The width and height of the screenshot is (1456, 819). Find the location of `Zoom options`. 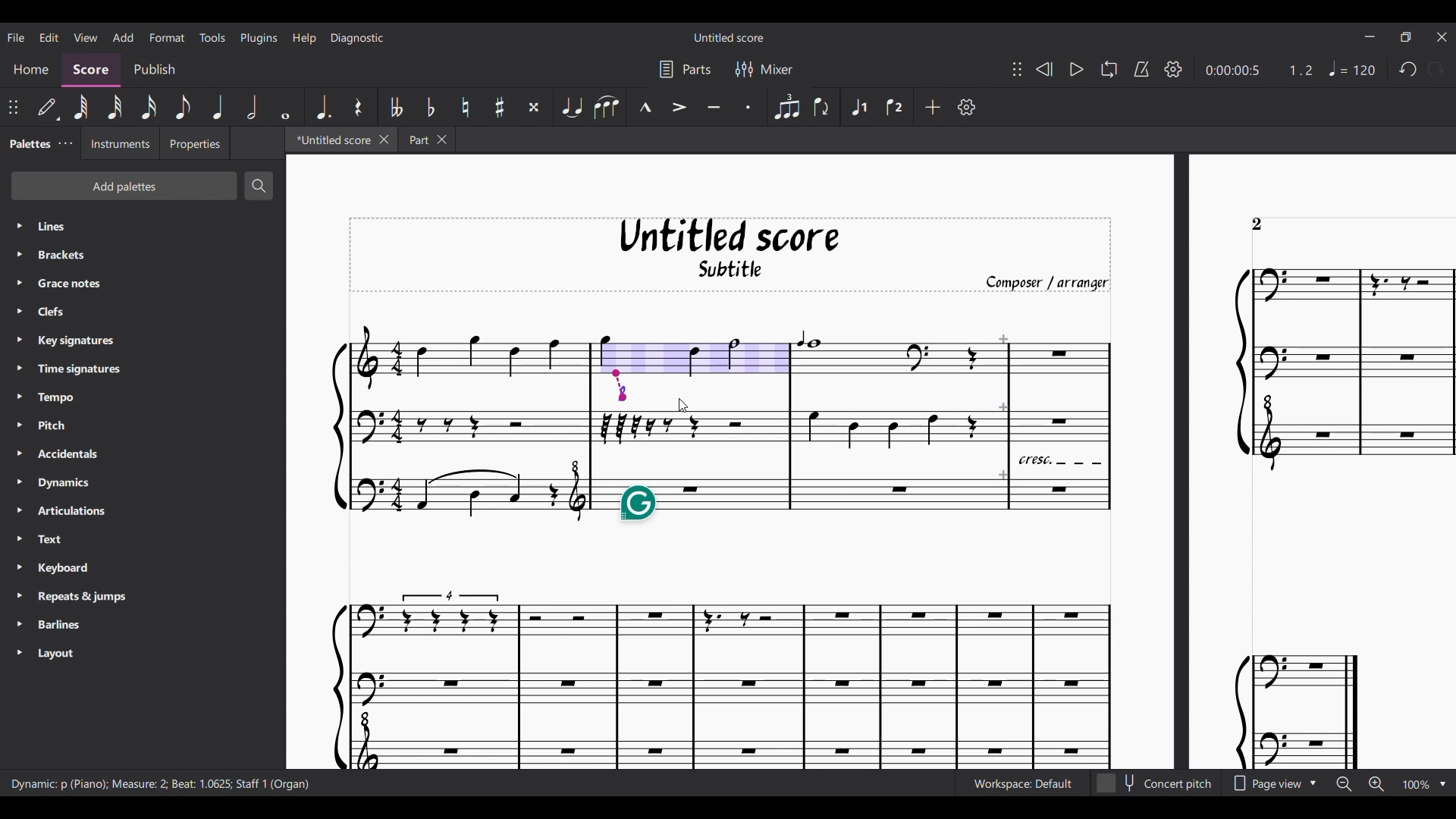

Zoom options is located at coordinates (1442, 784).